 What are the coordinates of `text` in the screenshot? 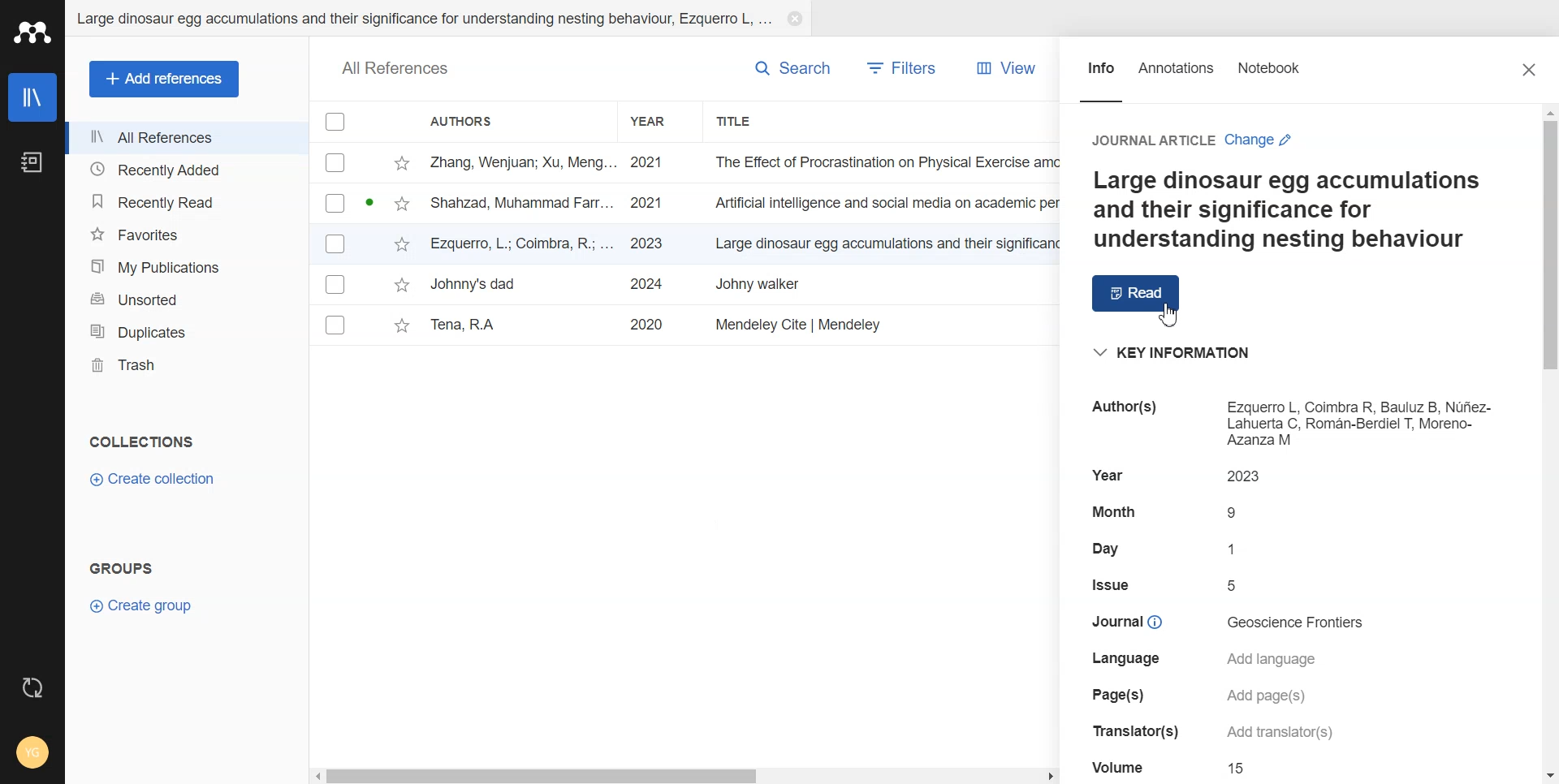 It's located at (1122, 621).